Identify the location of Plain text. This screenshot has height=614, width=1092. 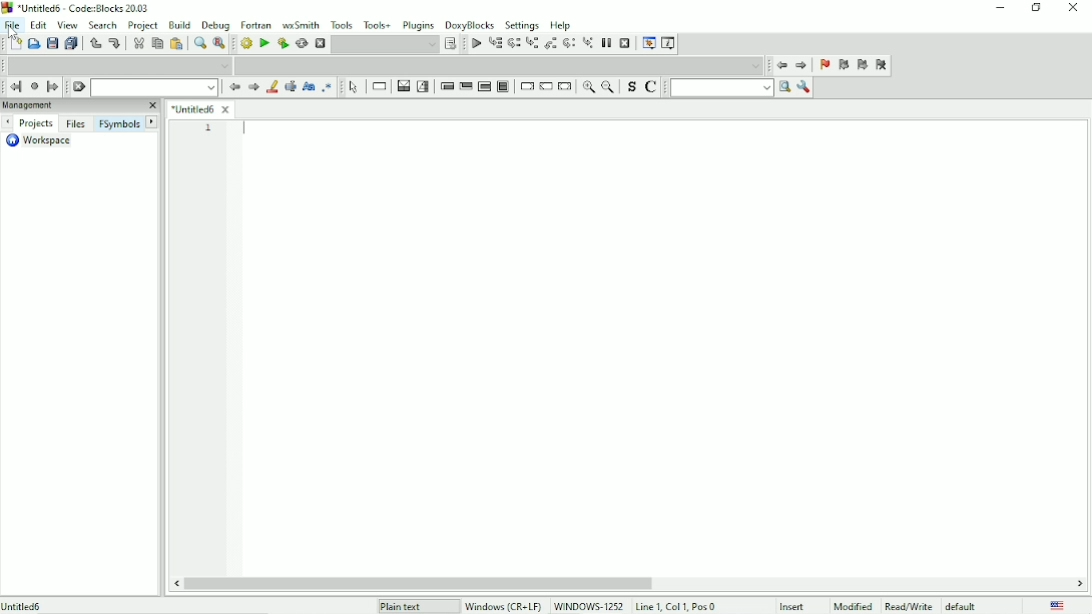
(403, 606).